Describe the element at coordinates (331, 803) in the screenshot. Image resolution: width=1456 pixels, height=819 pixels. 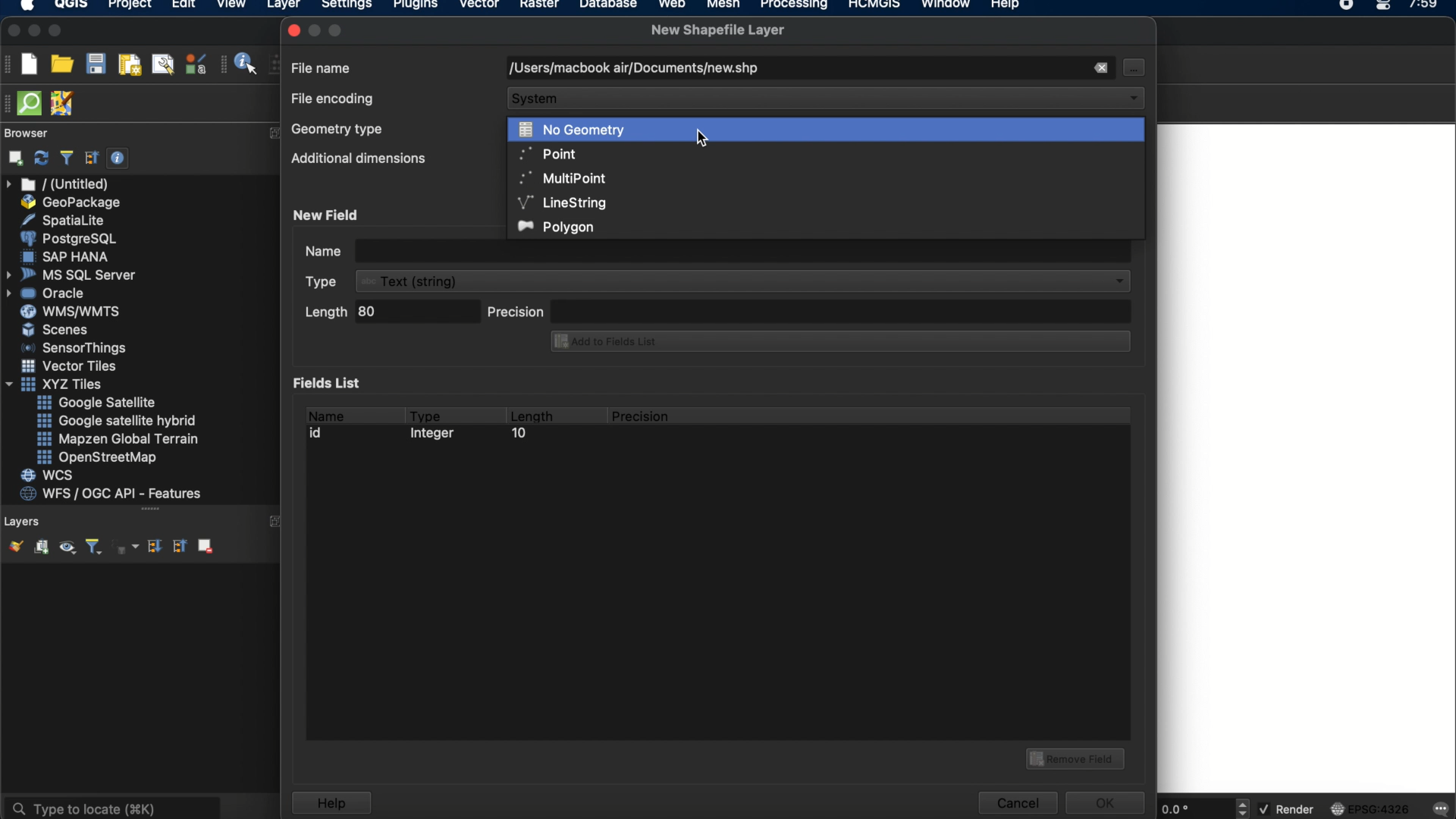
I see `help` at that location.